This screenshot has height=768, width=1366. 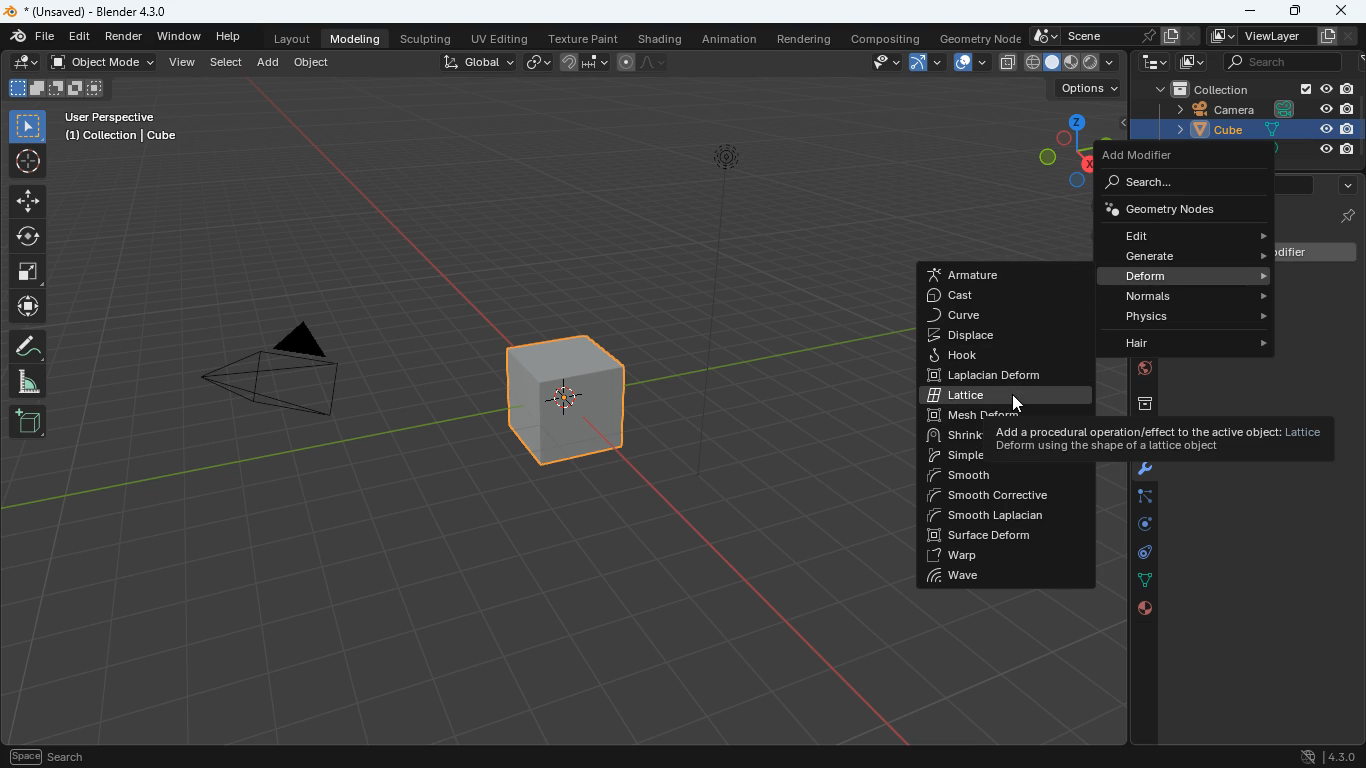 I want to click on dots, so click(x=1145, y=583).